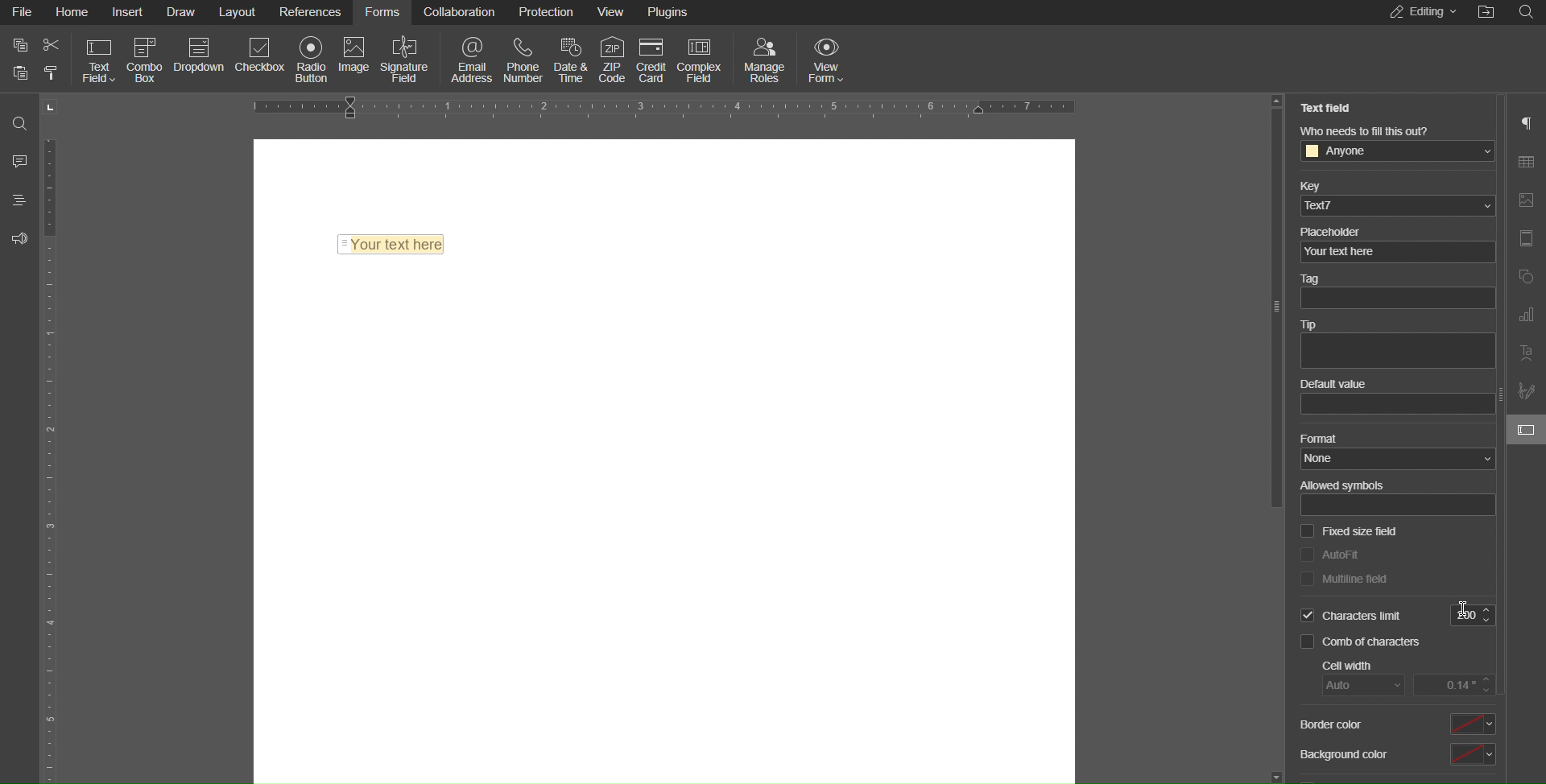  What do you see at coordinates (384, 14) in the screenshot?
I see `Forms` at bounding box center [384, 14].